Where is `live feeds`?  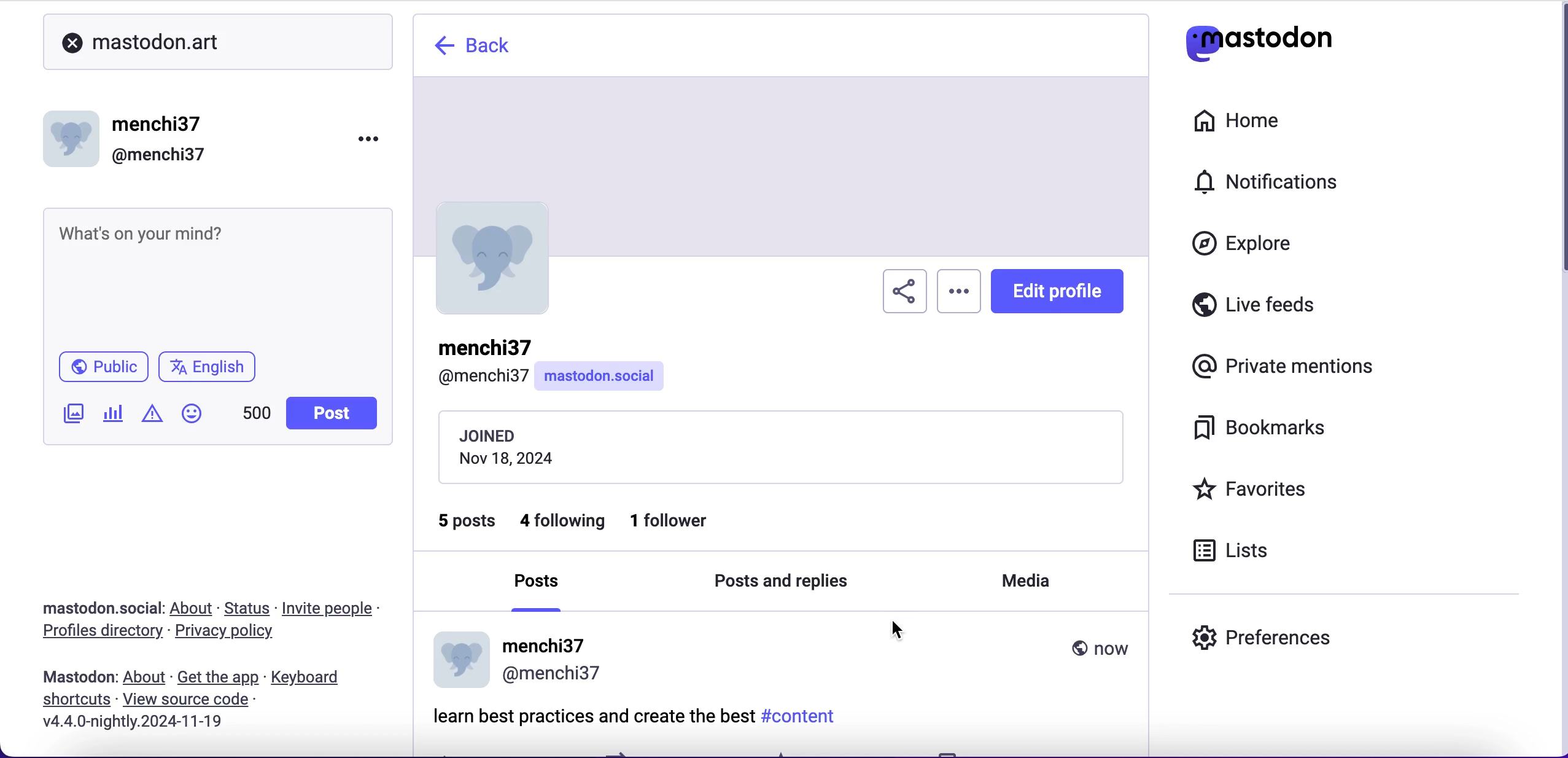
live feeds is located at coordinates (1297, 305).